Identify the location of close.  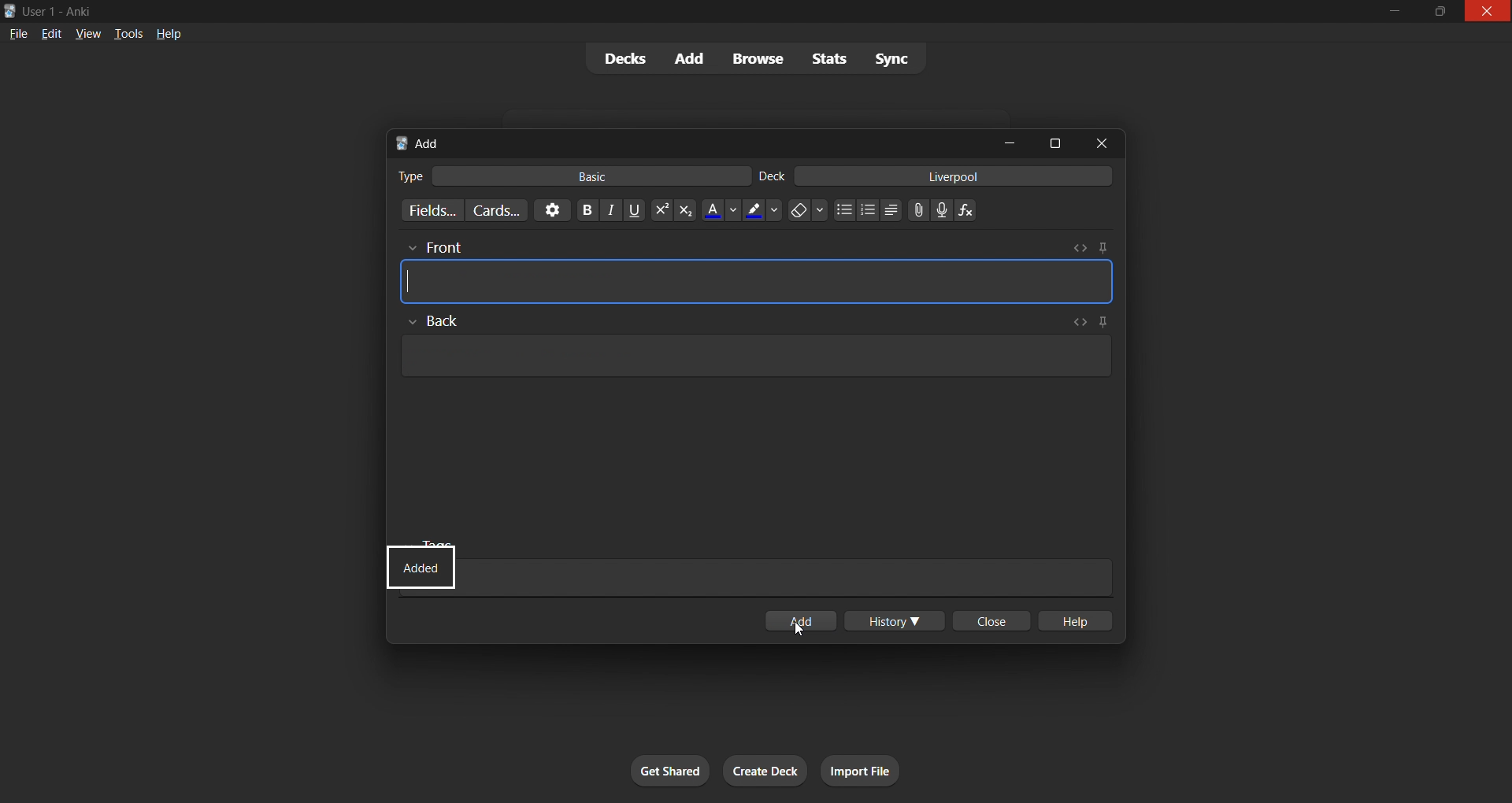
(1487, 13).